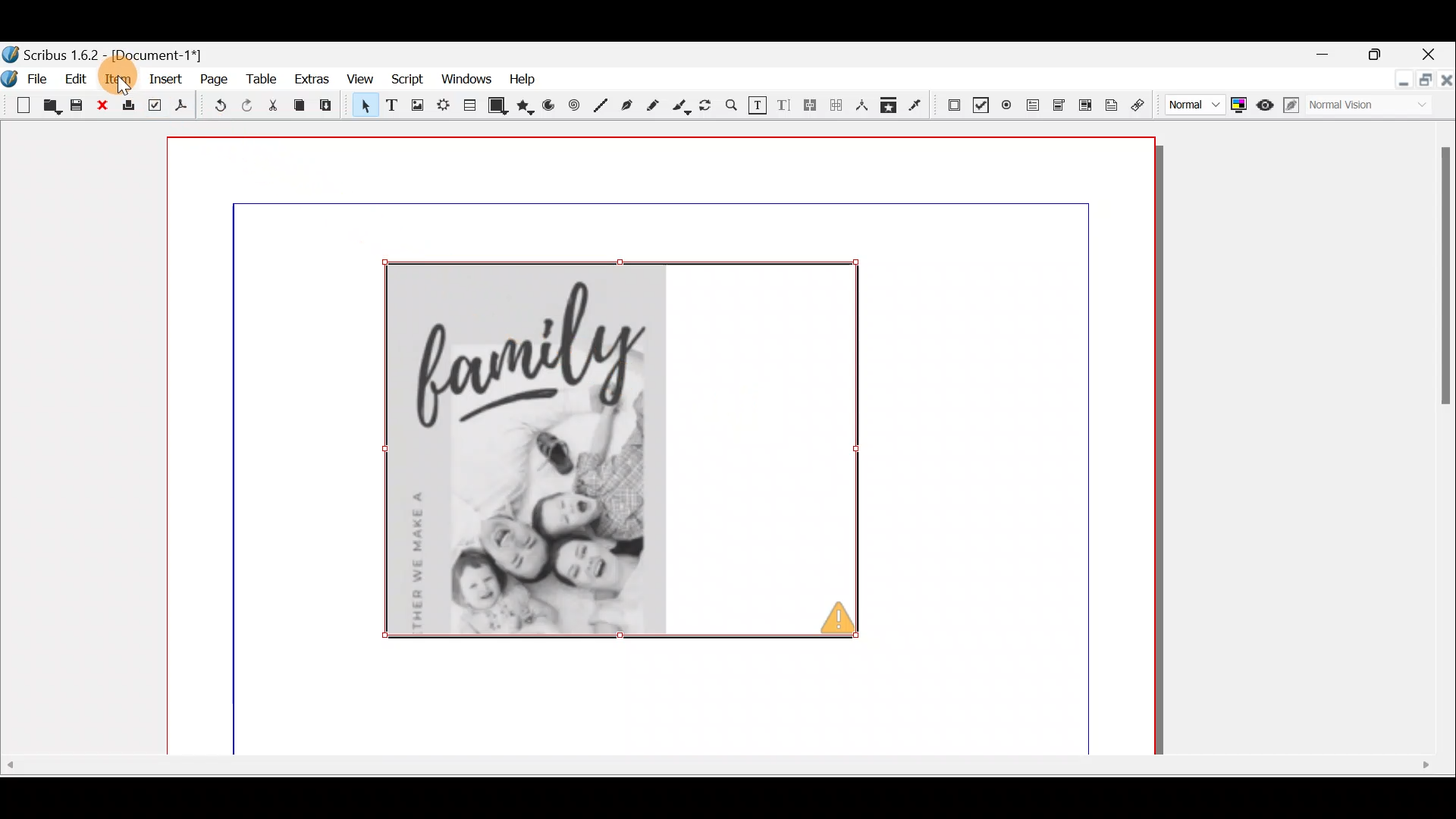  I want to click on Table, so click(261, 83).